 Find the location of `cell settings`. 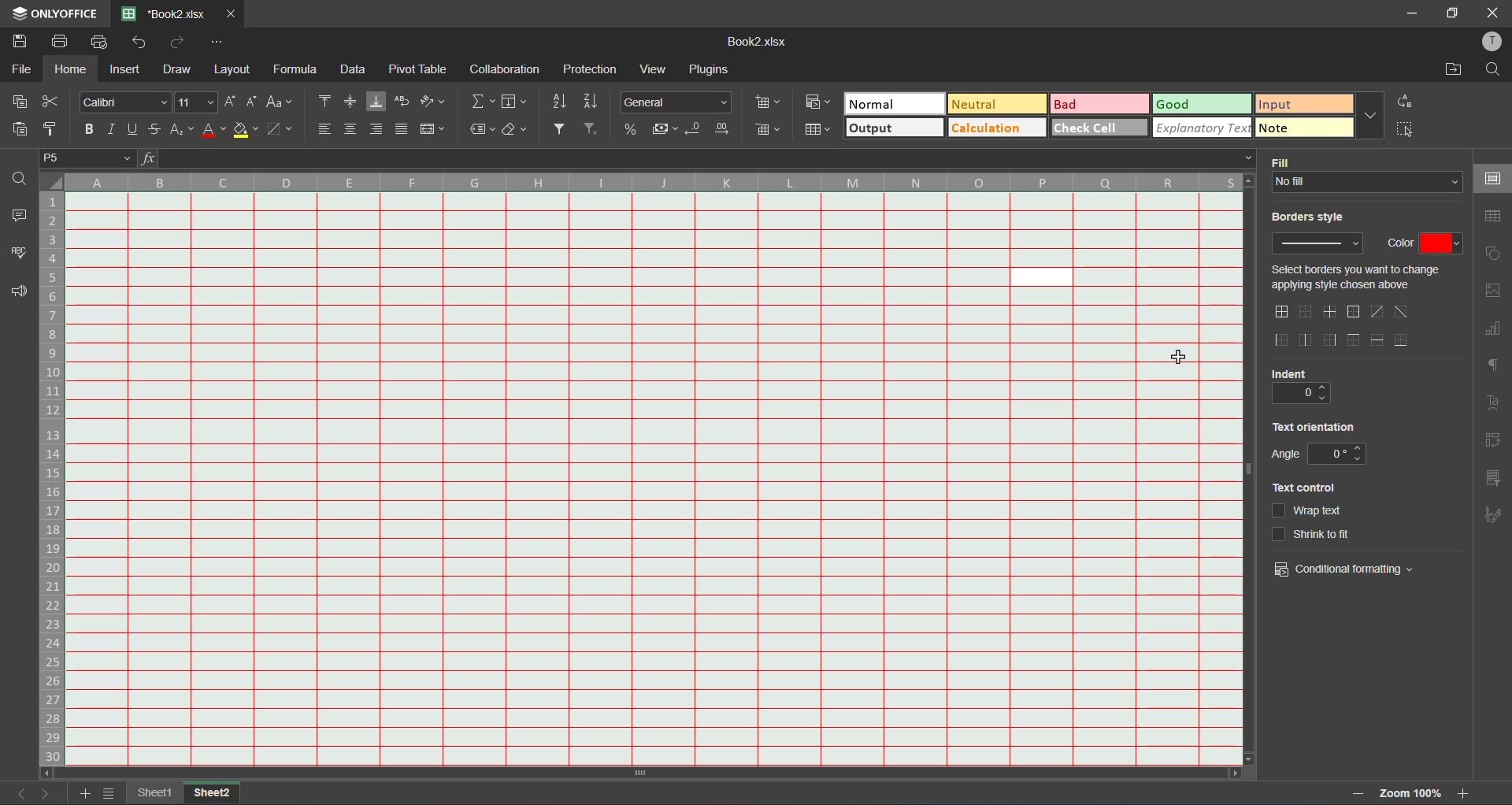

cell settings is located at coordinates (1494, 182).